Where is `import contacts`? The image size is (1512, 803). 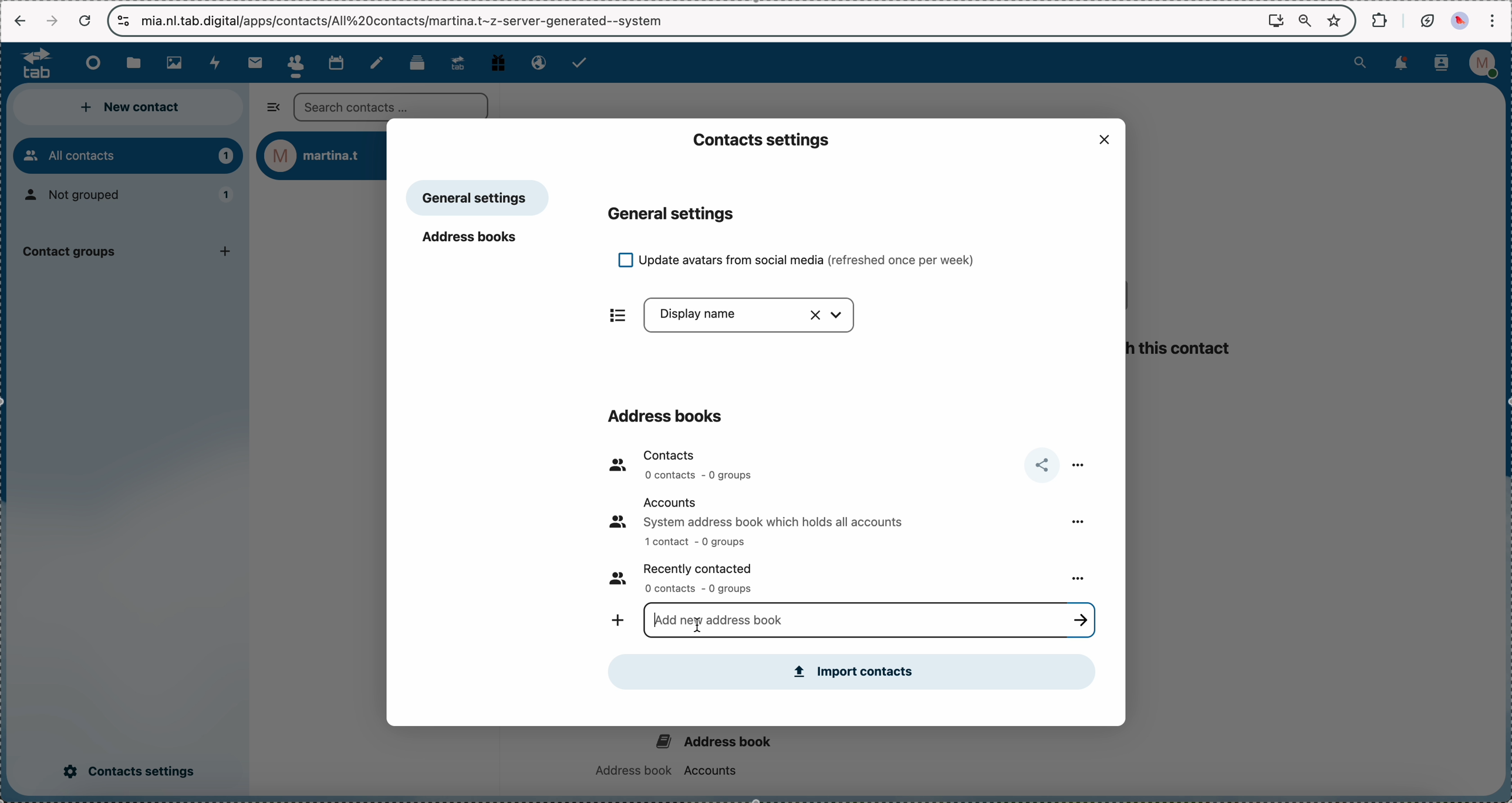
import contacts is located at coordinates (852, 671).